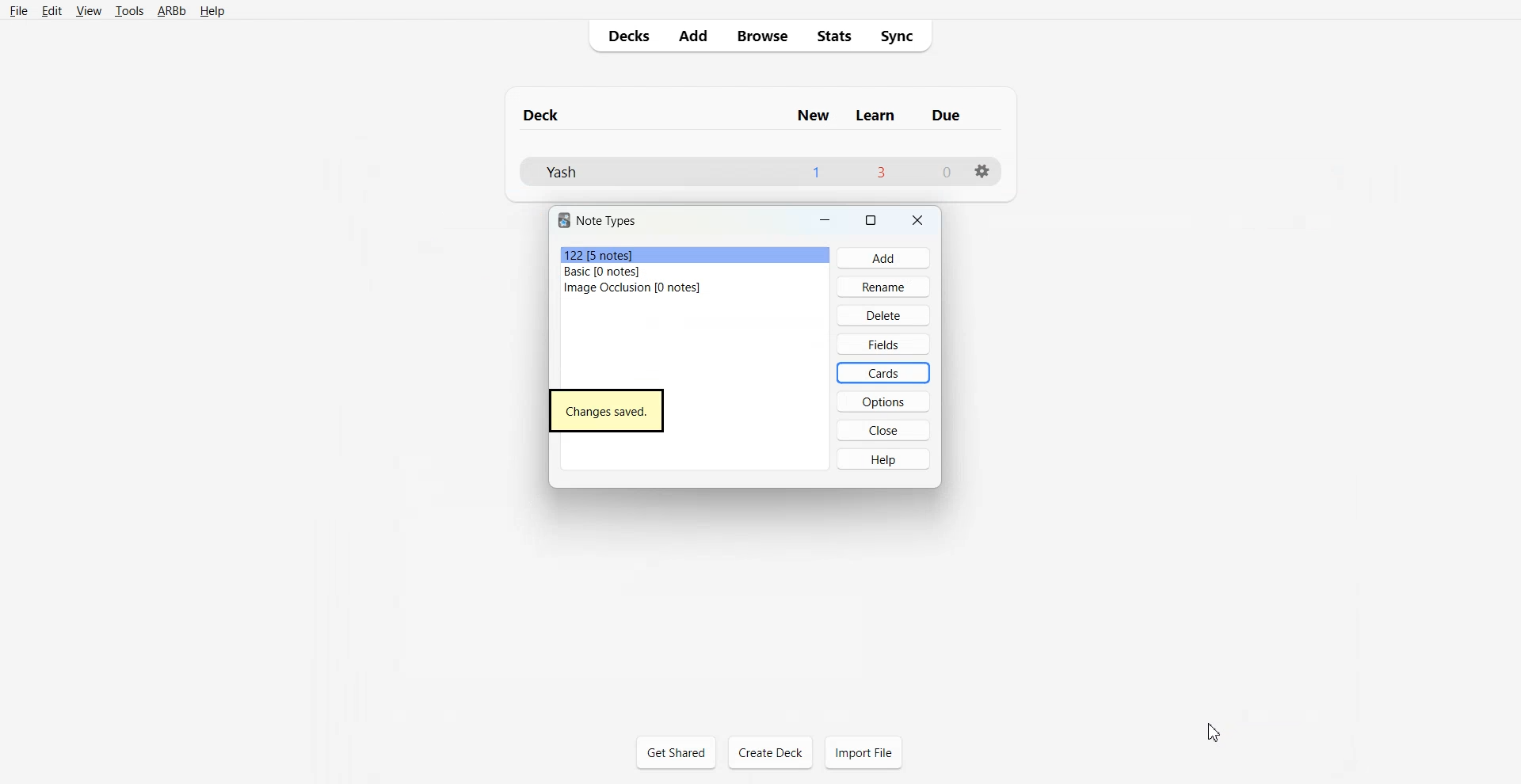  I want to click on File, so click(18, 11).